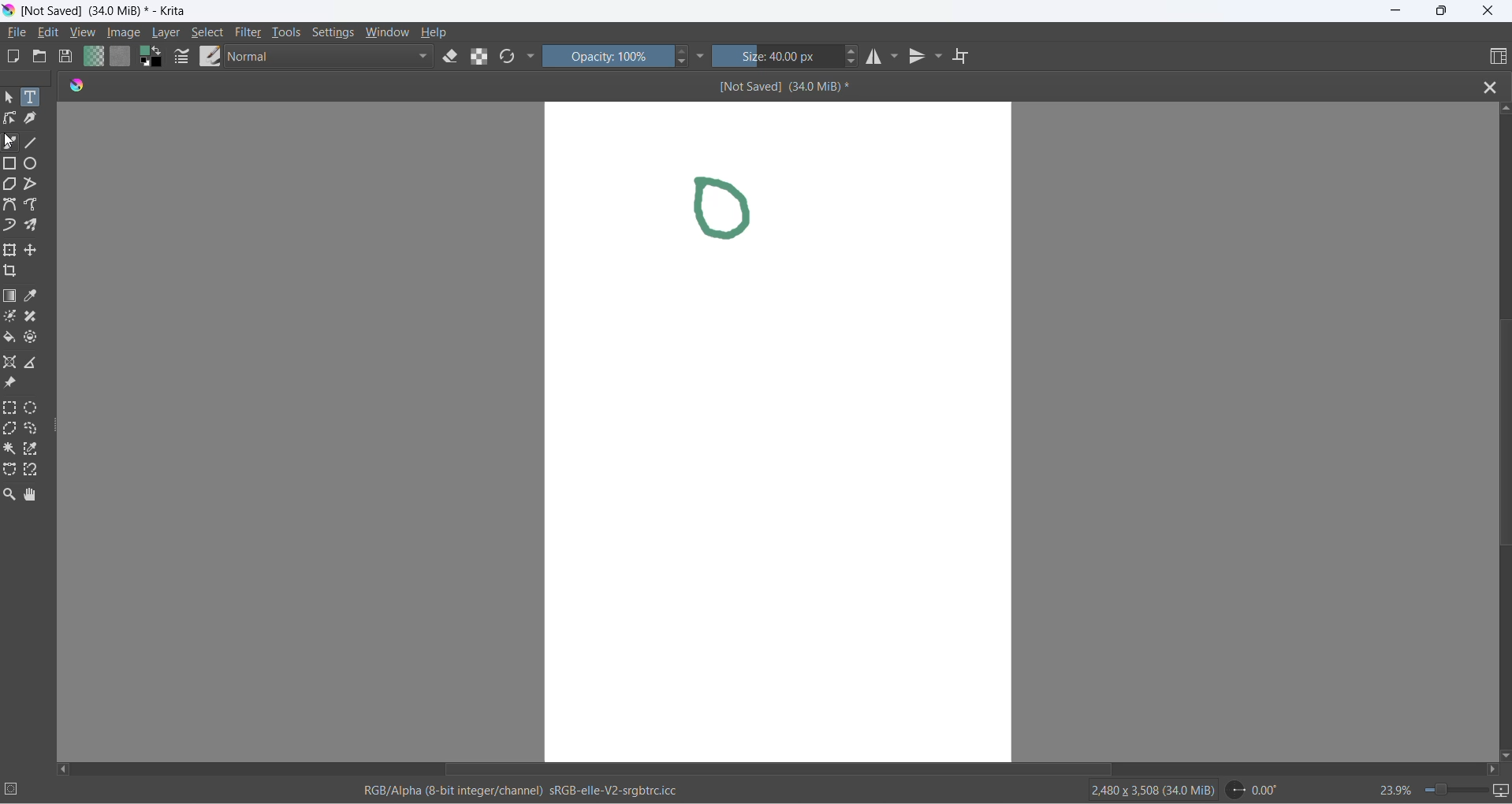  What do you see at coordinates (153, 57) in the screenshot?
I see `swap foreground with background color` at bounding box center [153, 57].